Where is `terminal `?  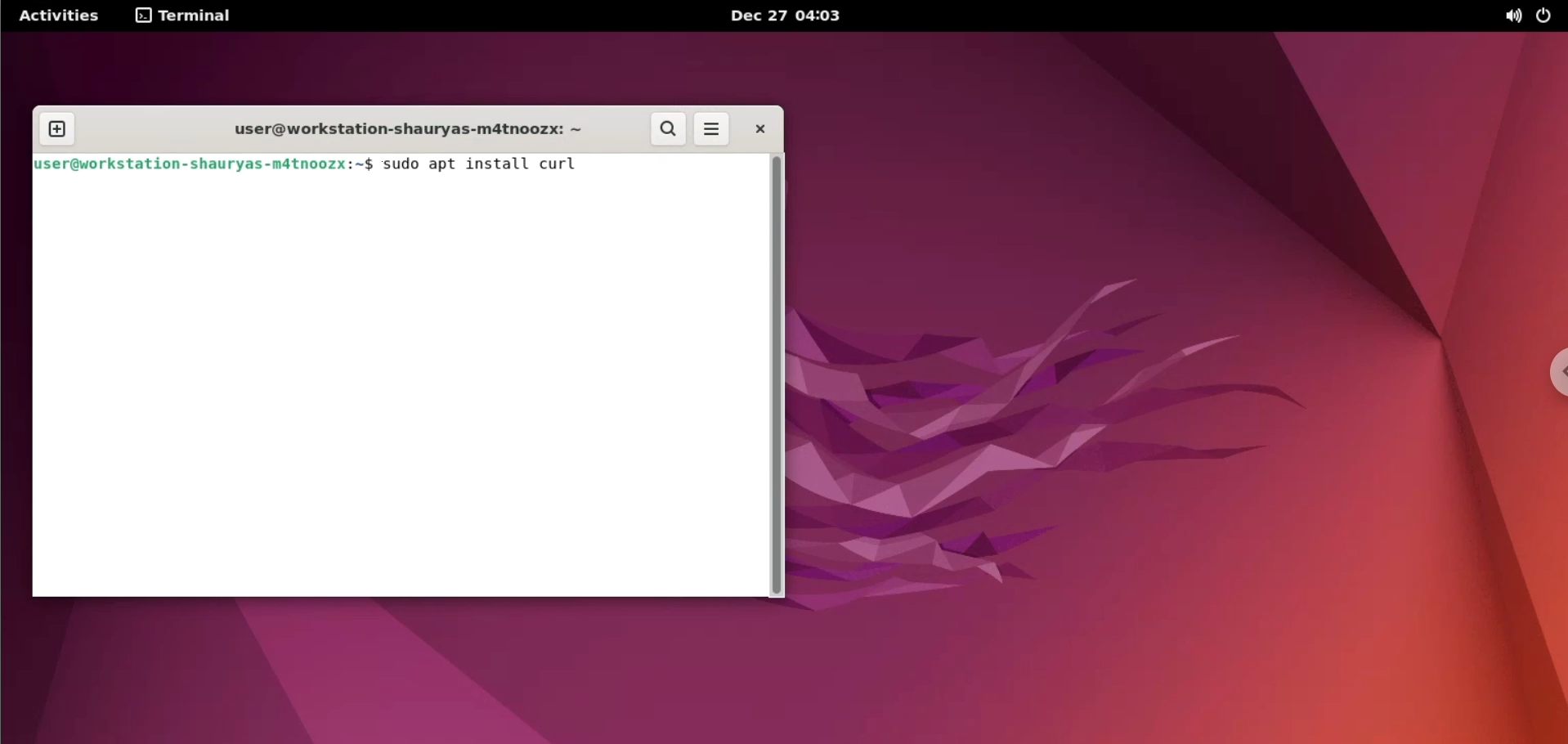
terminal  is located at coordinates (186, 17).